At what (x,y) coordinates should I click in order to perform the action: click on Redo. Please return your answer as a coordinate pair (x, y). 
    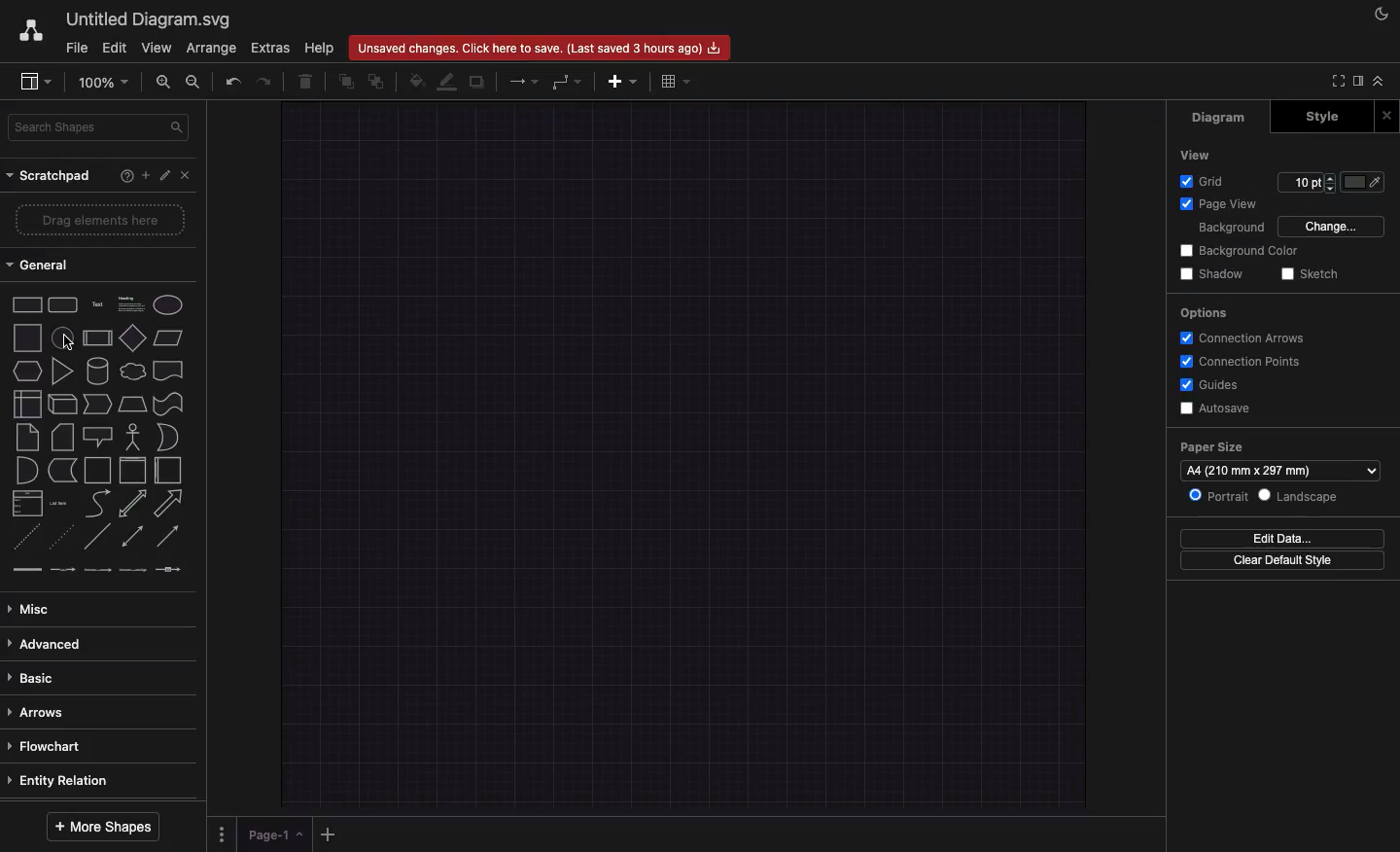
    Looking at the image, I should click on (268, 81).